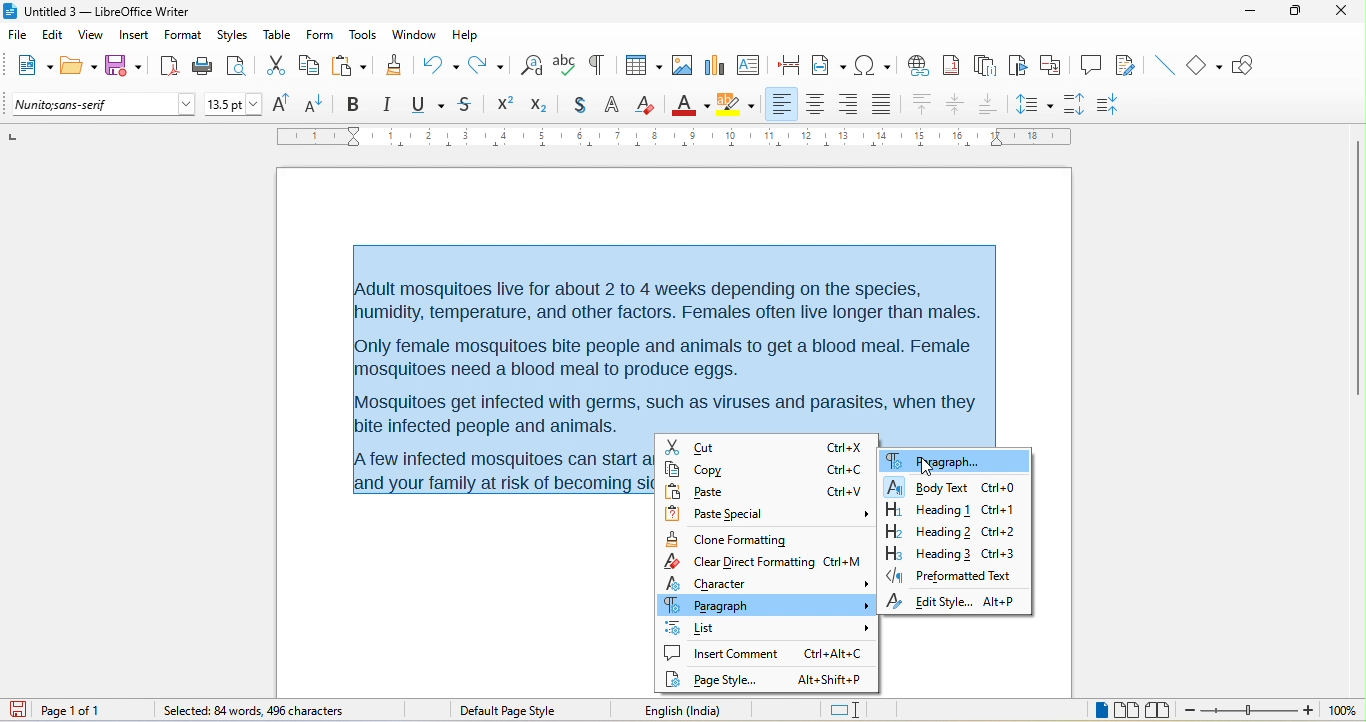 This screenshot has height=722, width=1366. What do you see at coordinates (771, 515) in the screenshot?
I see `paste special` at bounding box center [771, 515].